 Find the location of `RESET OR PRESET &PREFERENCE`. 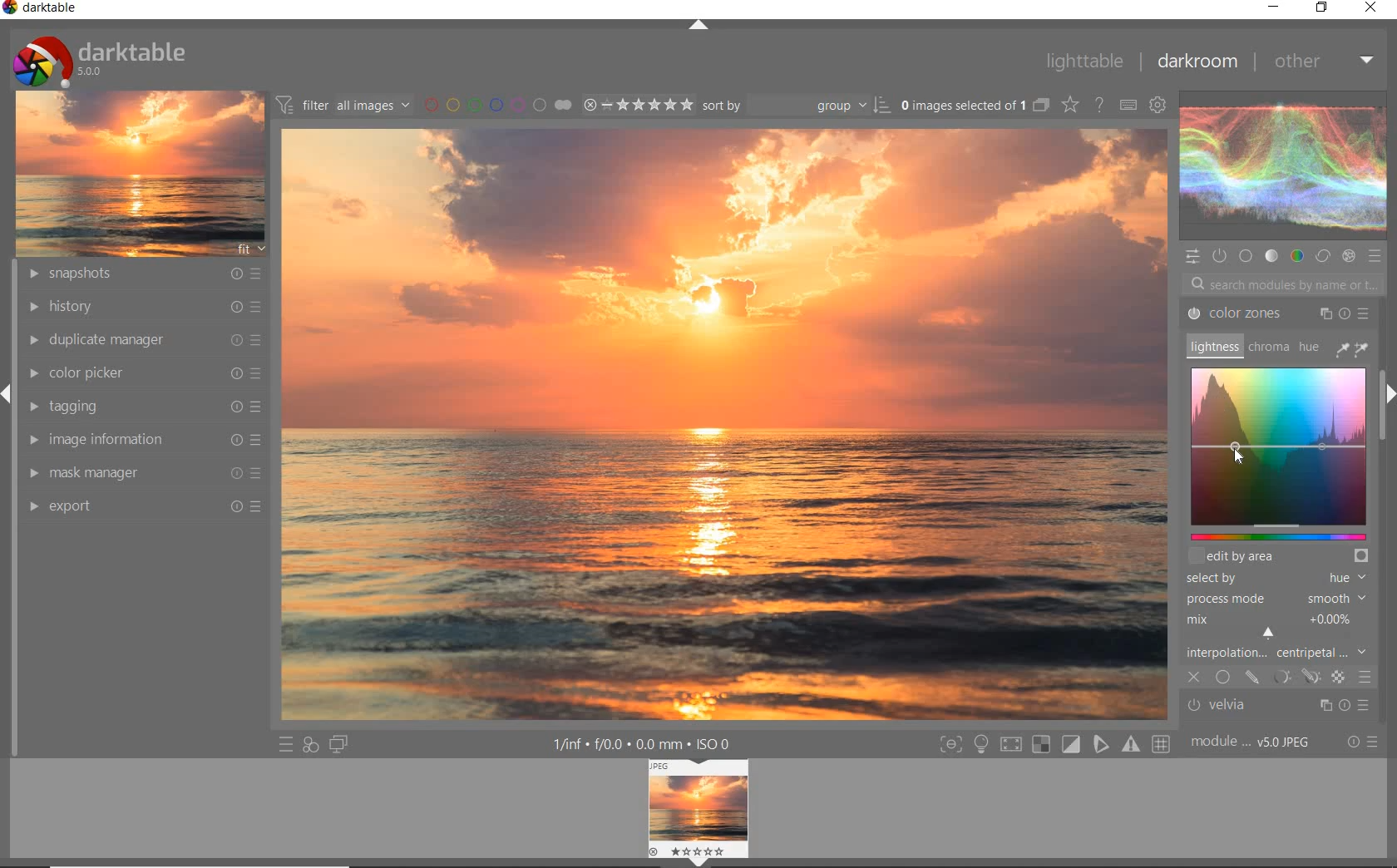

RESET OR PRESET &PREFERENCE is located at coordinates (1363, 742).